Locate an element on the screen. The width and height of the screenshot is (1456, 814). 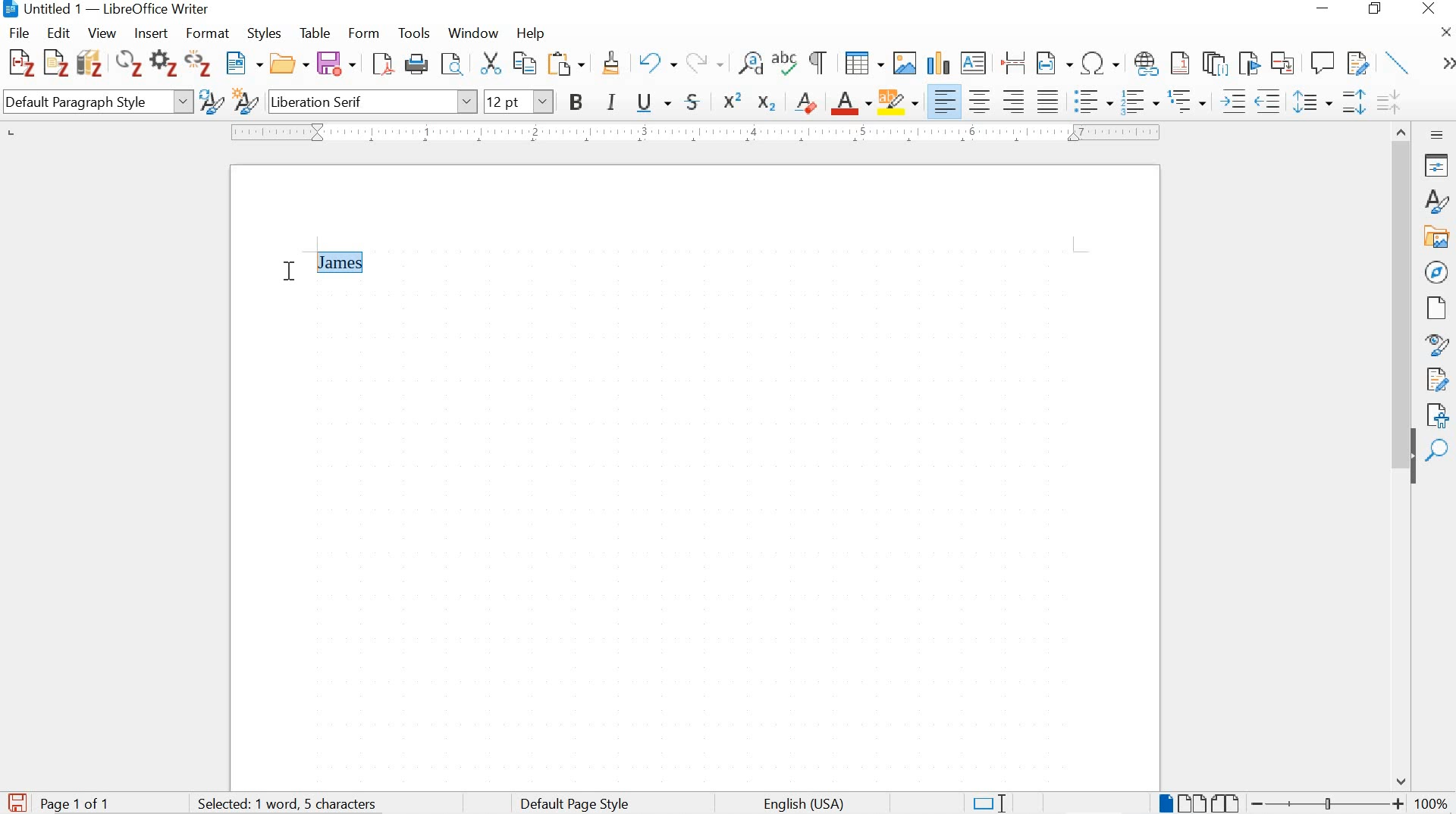
outline format is located at coordinates (1188, 102).